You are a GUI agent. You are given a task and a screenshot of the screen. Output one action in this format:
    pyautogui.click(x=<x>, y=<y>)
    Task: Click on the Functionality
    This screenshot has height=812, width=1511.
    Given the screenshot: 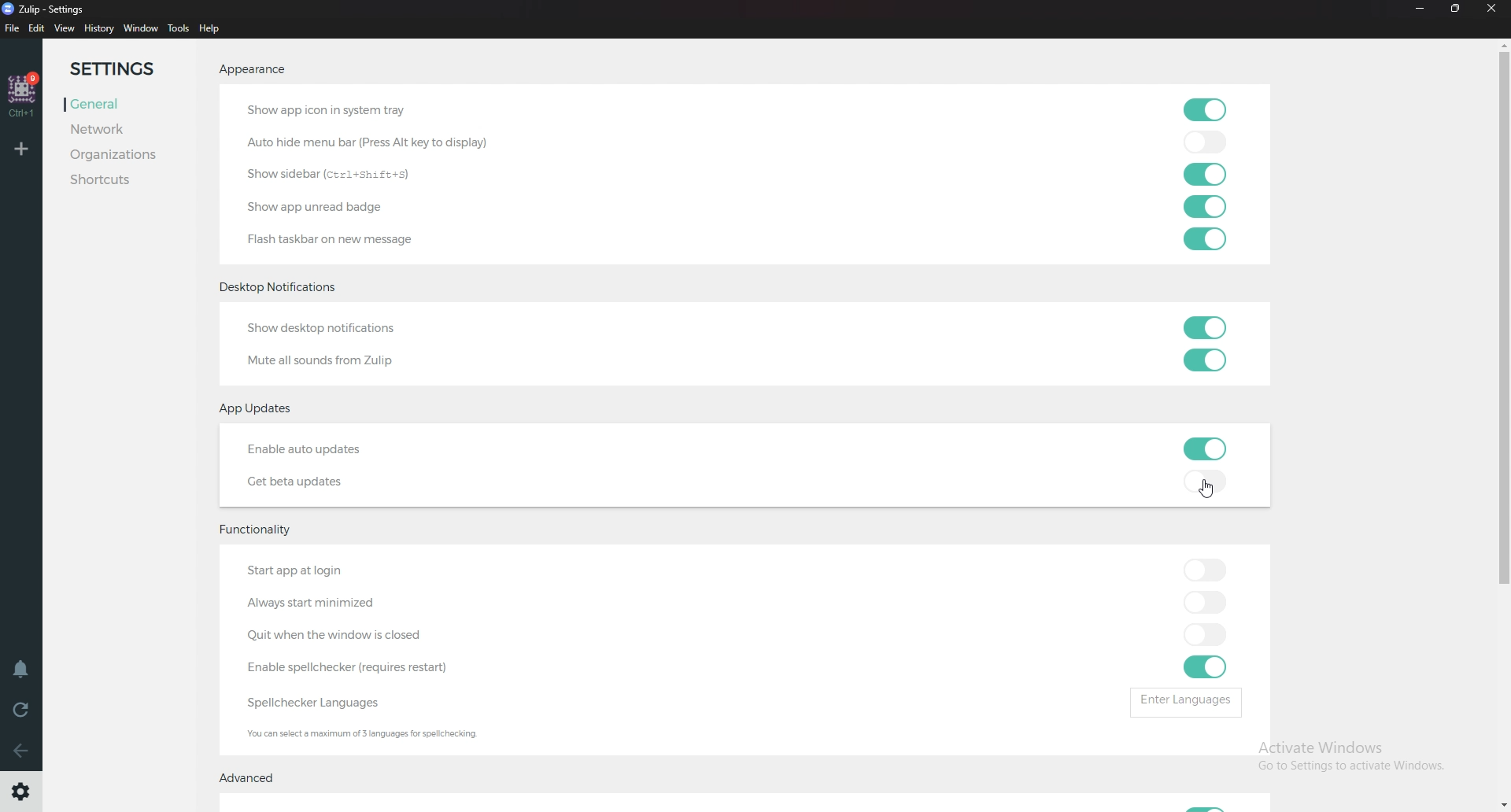 What is the action you would take?
    pyautogui.click(x=271, y=529)
    